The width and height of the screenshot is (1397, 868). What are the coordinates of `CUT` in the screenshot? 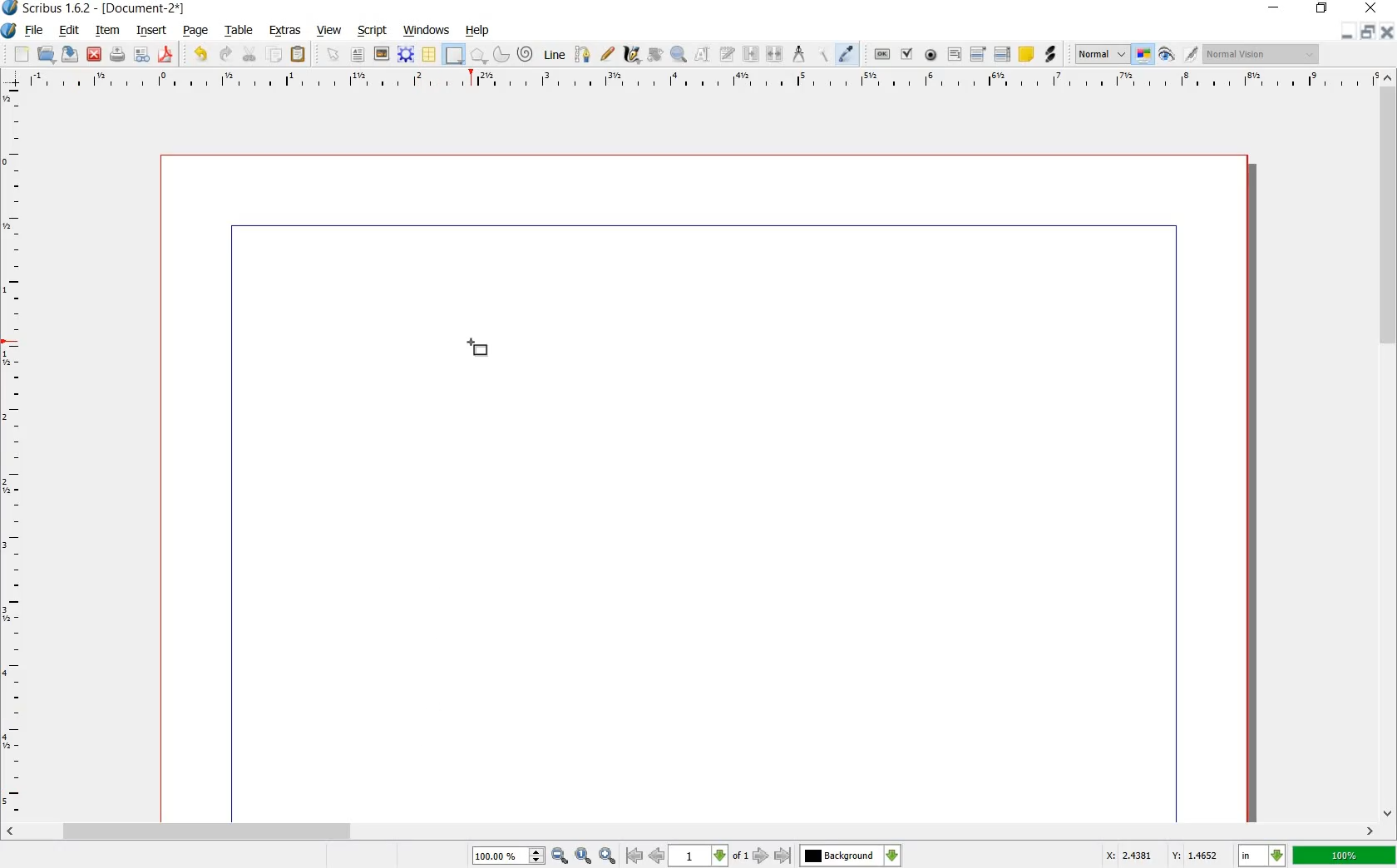 It's located at (250, 54).